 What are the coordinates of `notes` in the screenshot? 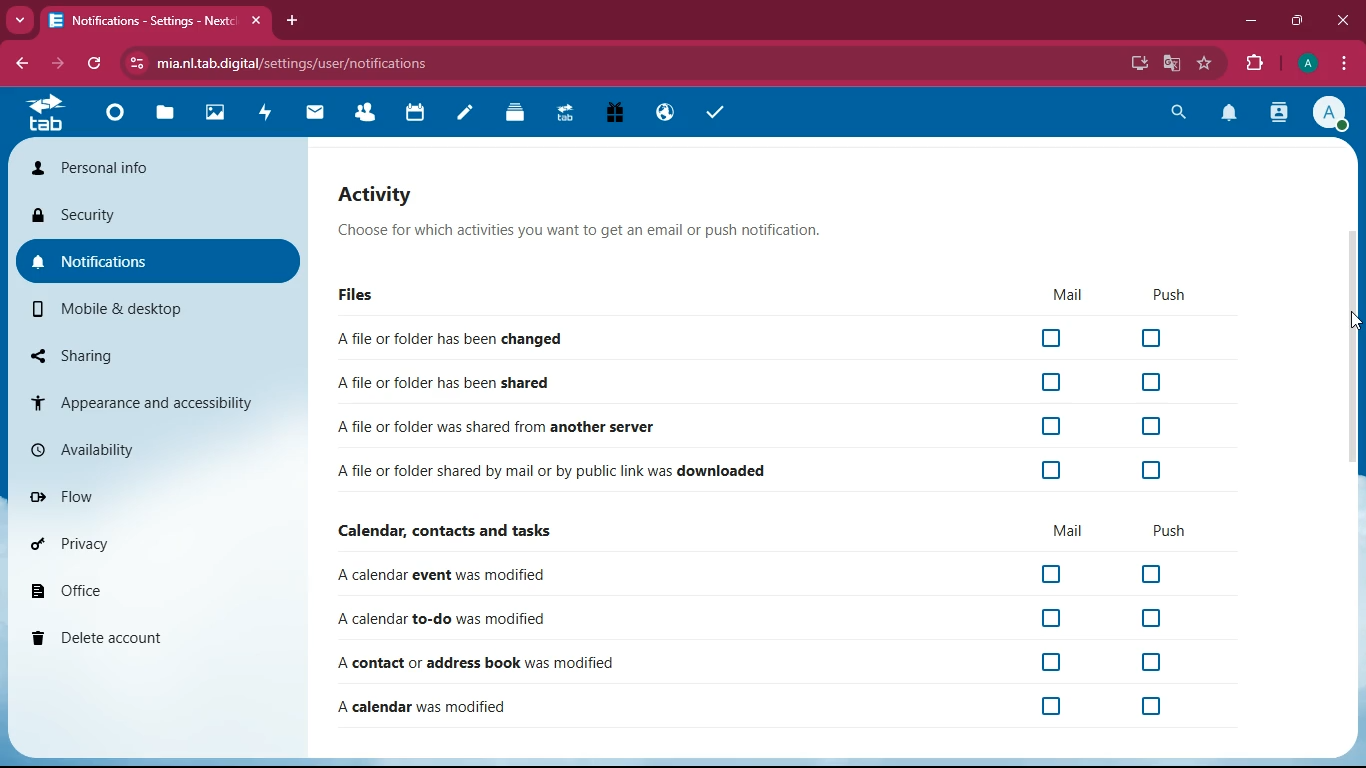 It's located at (468, 116).